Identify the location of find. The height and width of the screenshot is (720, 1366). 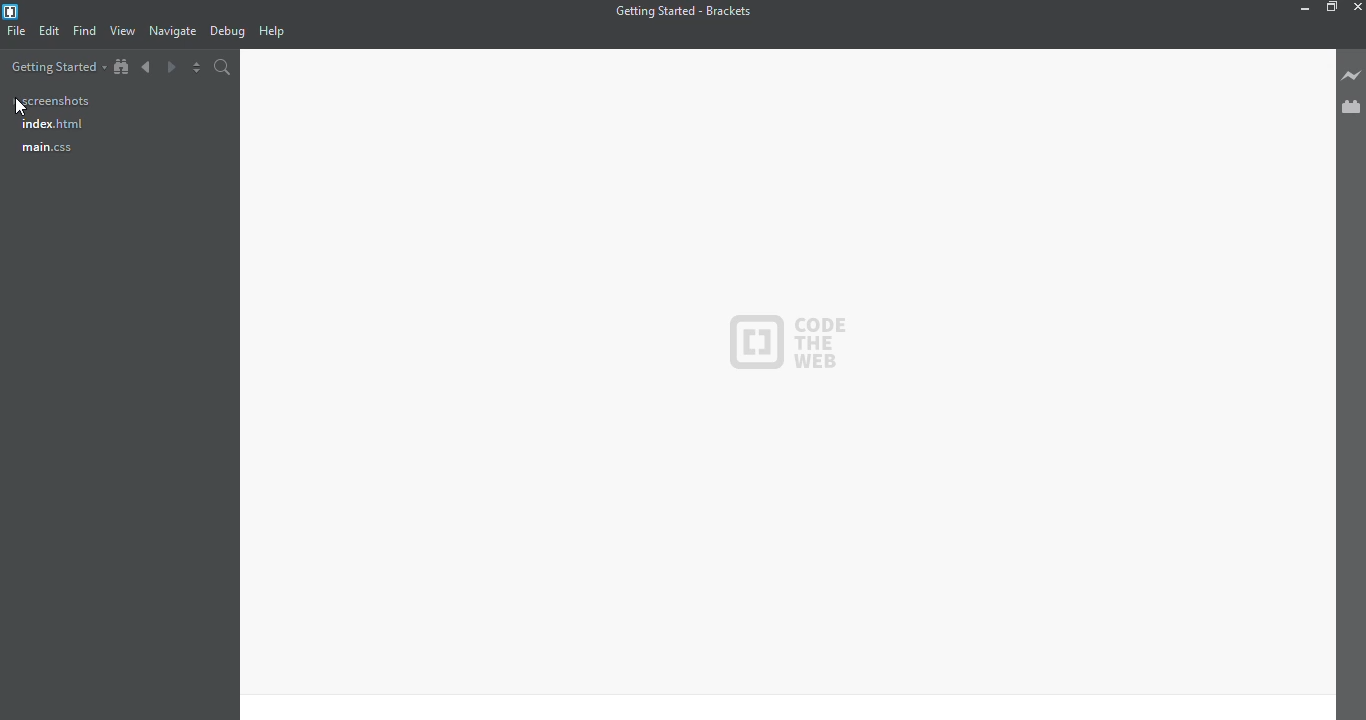
(87, 31).